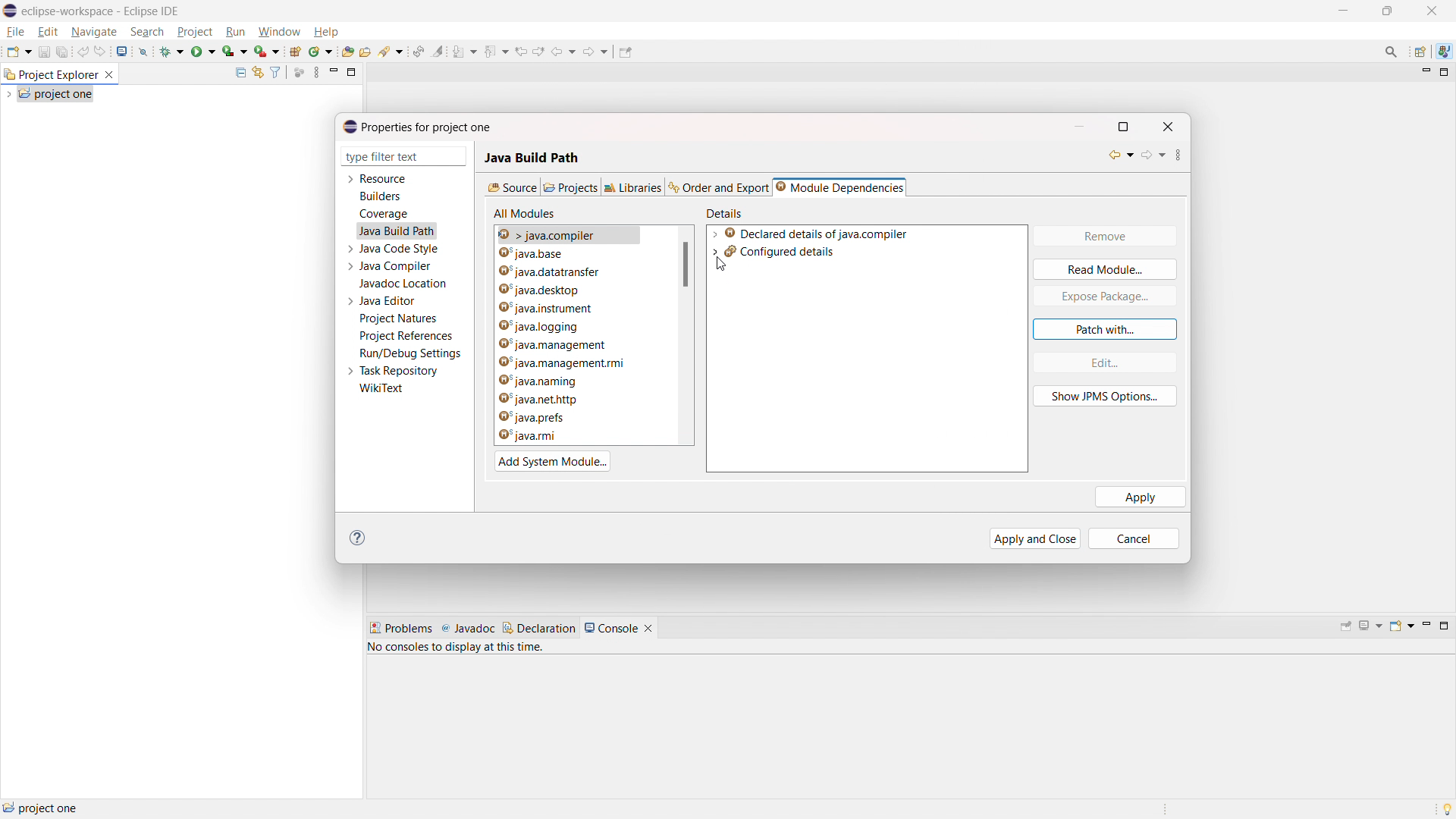 The height and width of the screenshot is (819, 1456). What do you see at coordinates (235, 51) in the screenshot?
I see `coverage` at bounding box center [235, 51].